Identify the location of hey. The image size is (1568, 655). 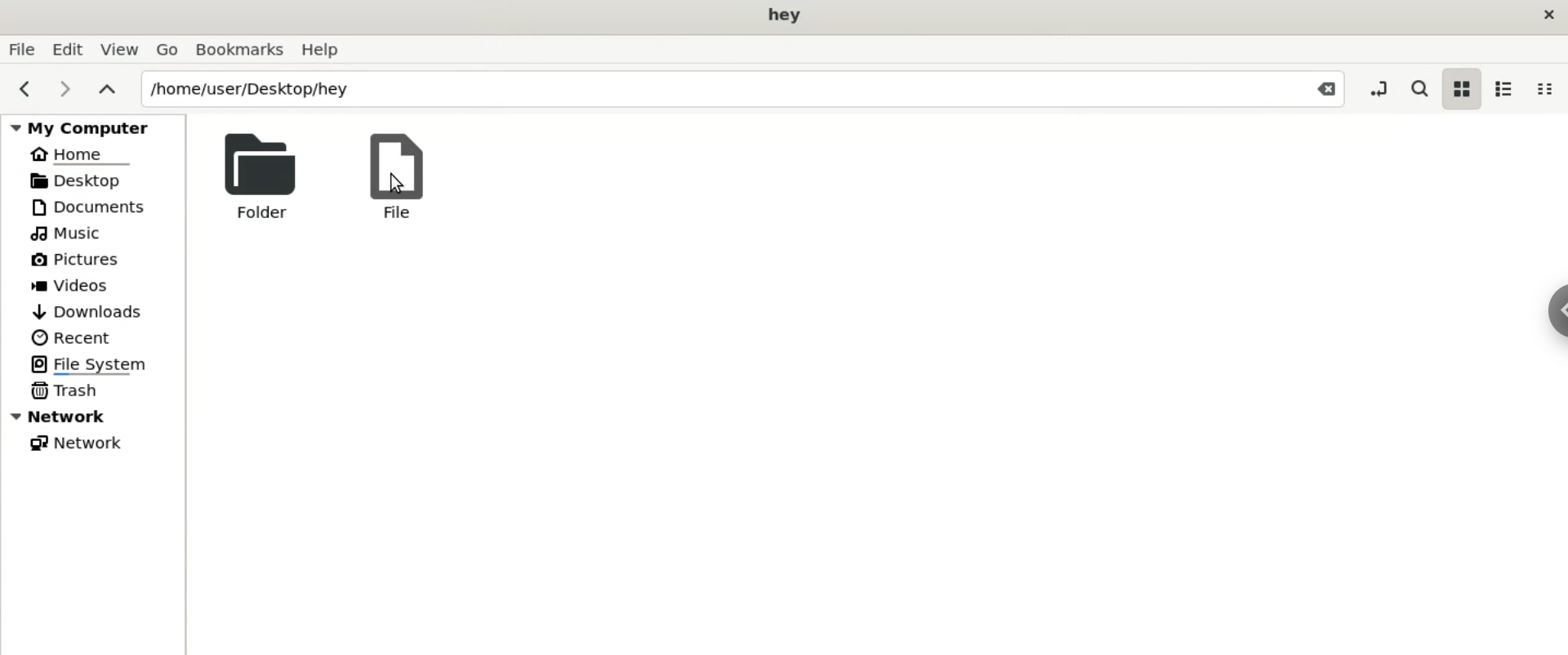
(786, 16).